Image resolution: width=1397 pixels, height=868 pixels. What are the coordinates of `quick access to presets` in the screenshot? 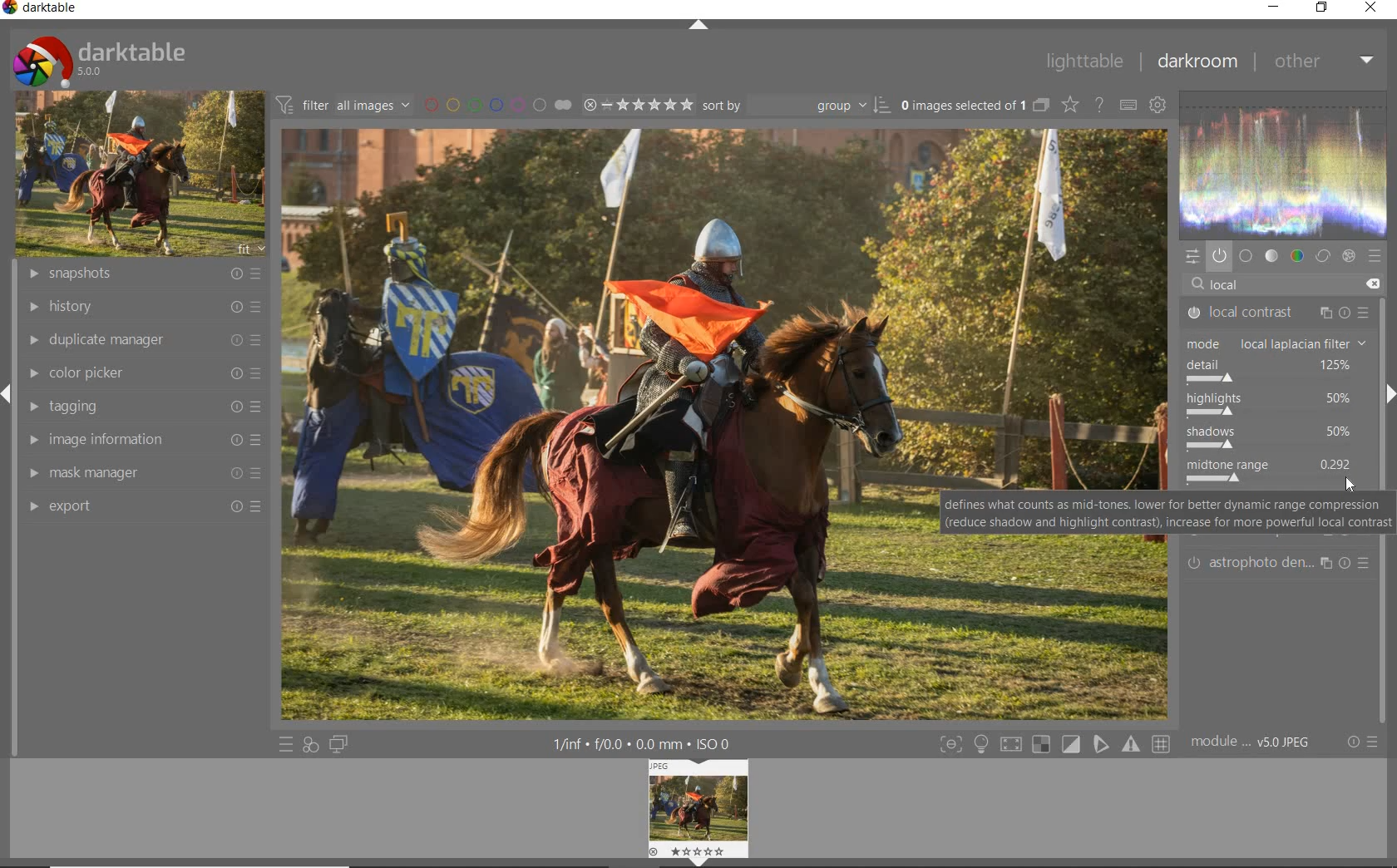 It's located at (286, 744).